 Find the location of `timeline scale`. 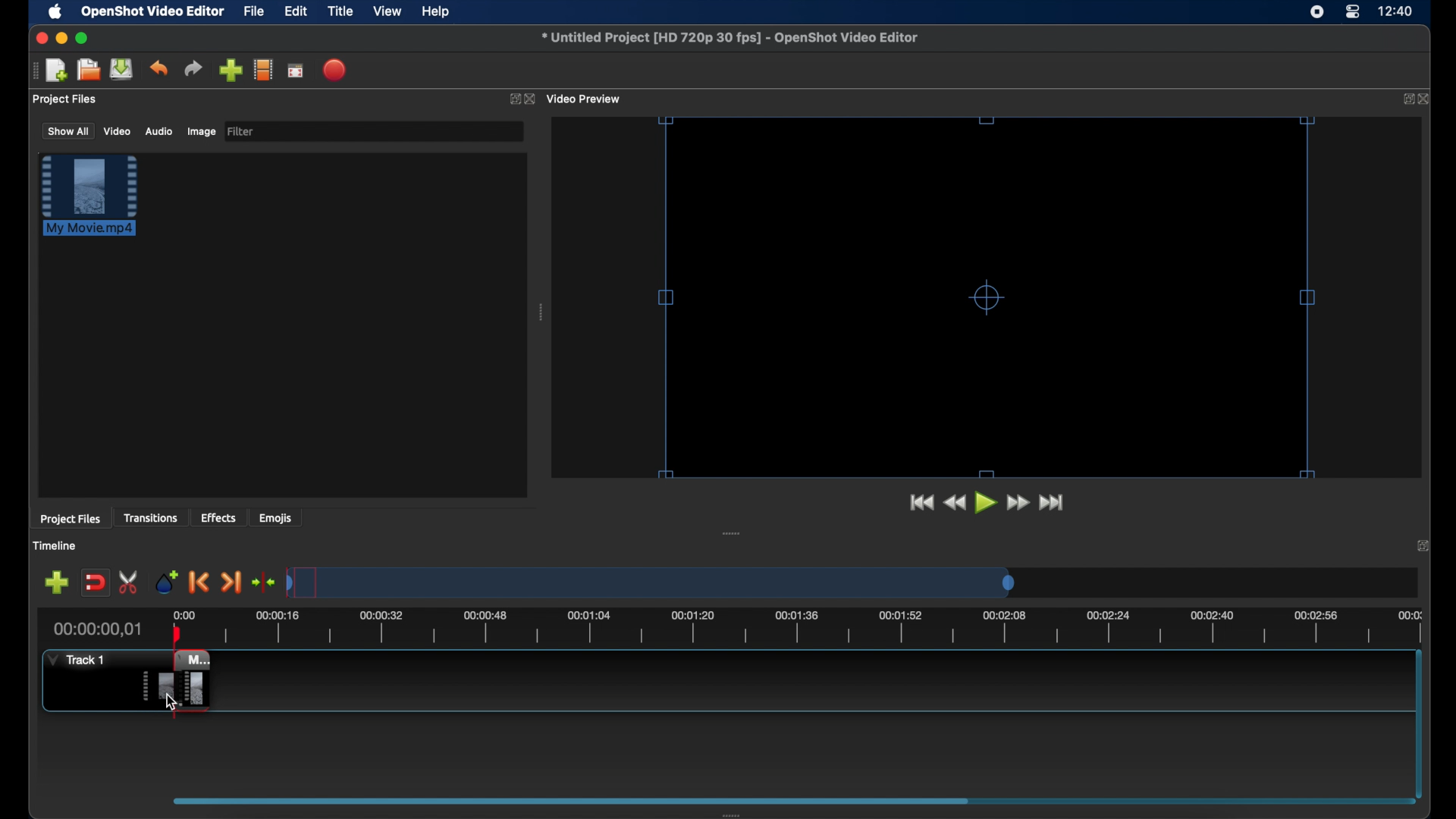

timeline scale is located at coordinates (652, 584).